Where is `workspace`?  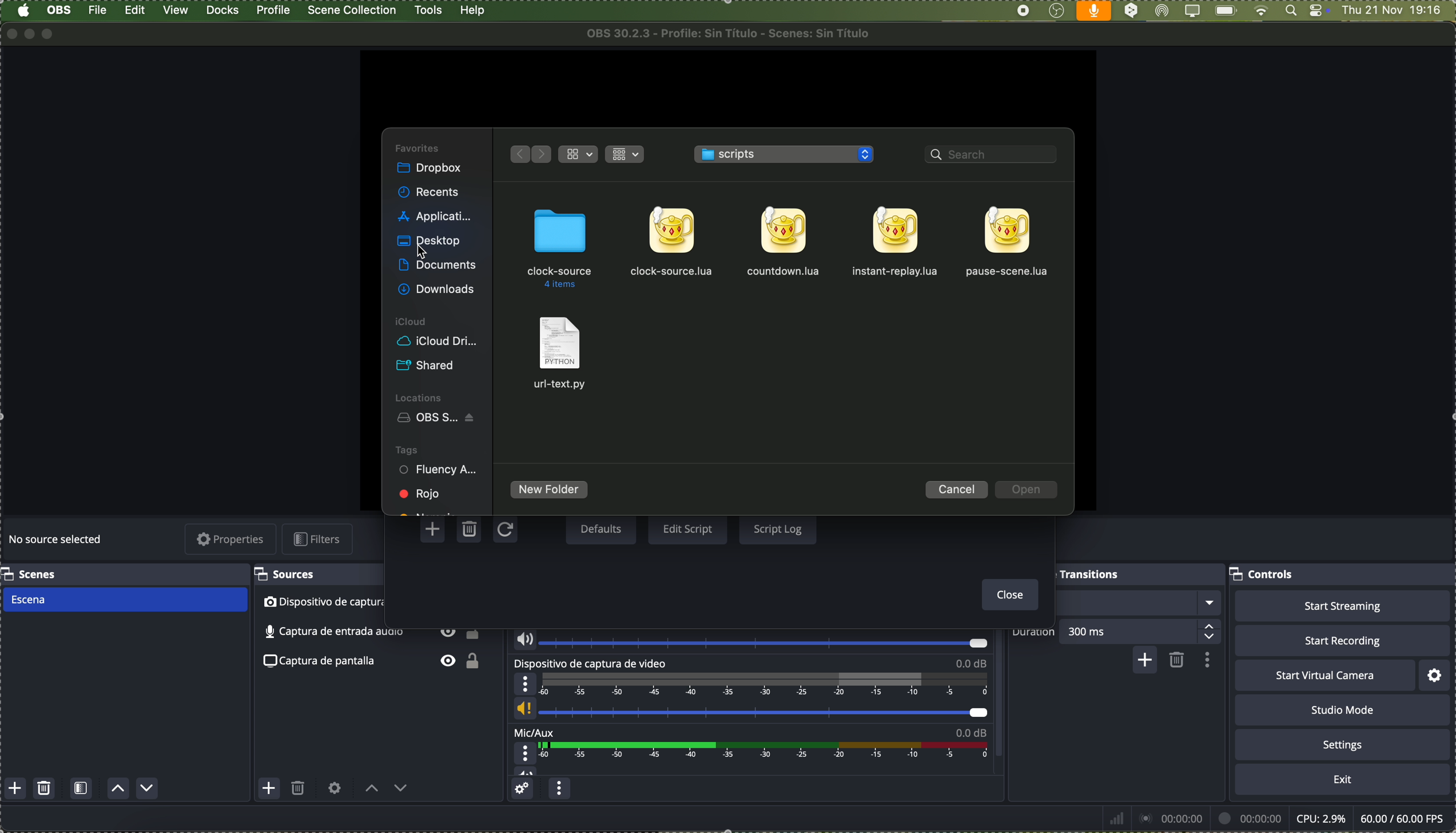 workspace is located at coordinates (726, 88).